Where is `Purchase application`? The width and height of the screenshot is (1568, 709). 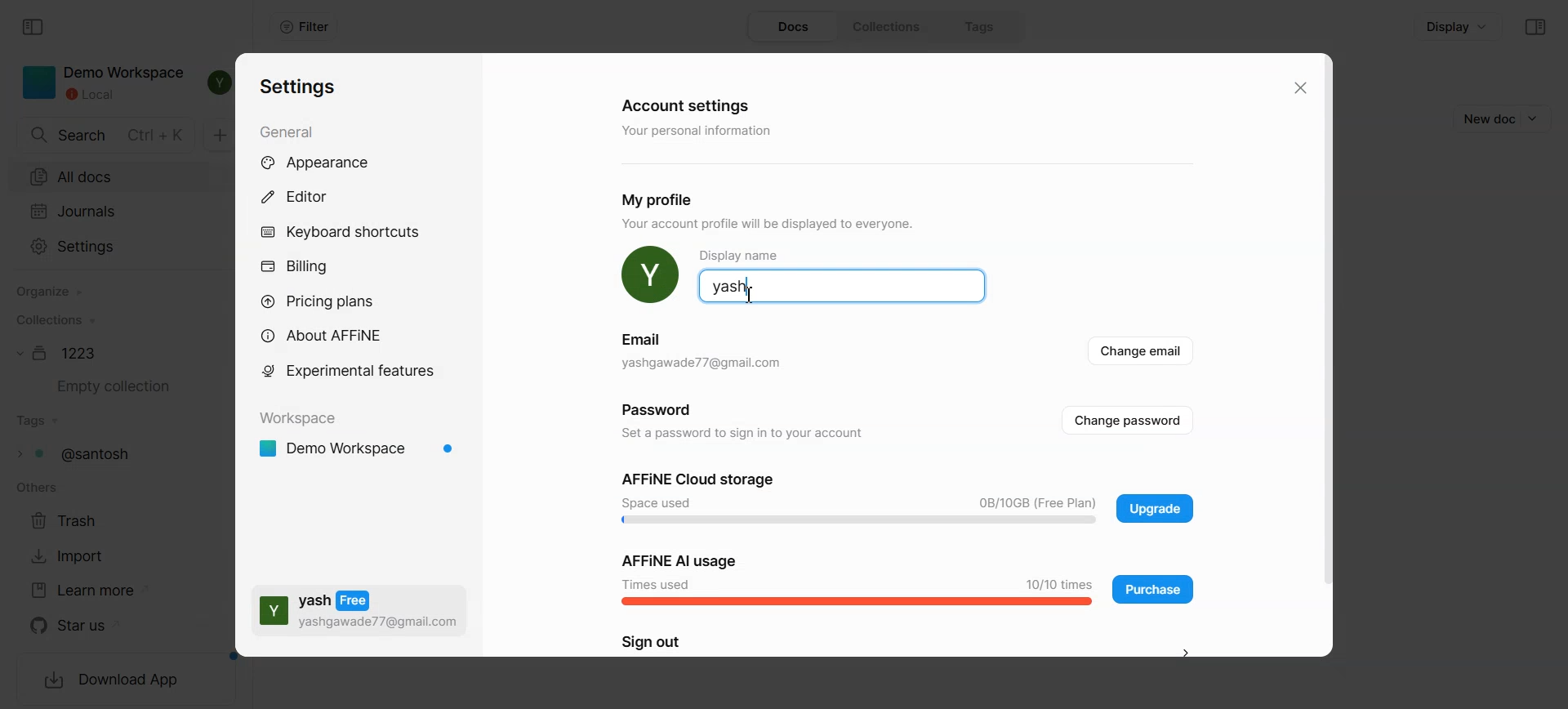
Purchase application is located at coordinates (1153, 588).